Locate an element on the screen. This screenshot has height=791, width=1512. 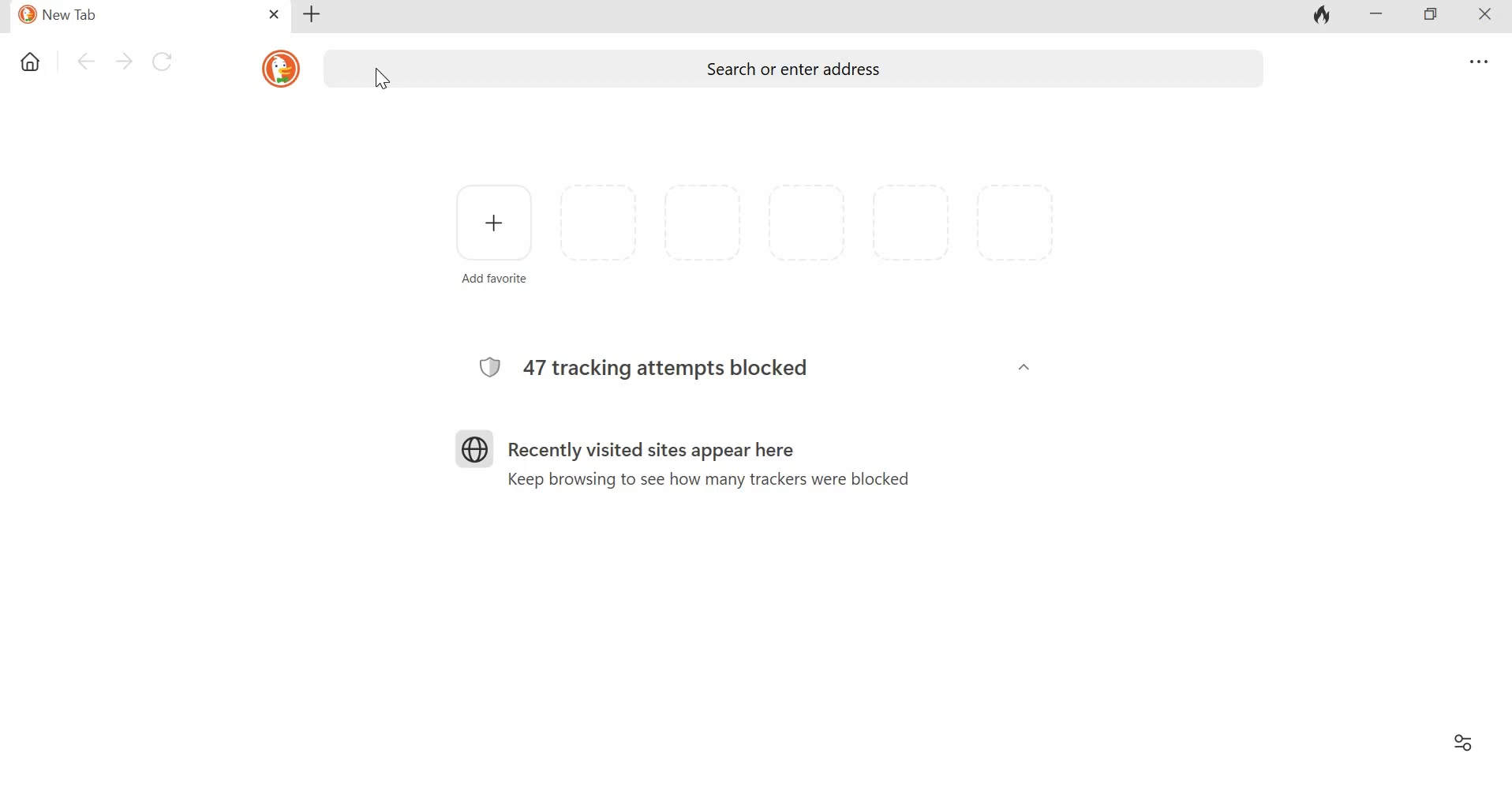
Recently visited sites appear here. Keep browsing to see how many trackers were blocked.  is located at coordinates (705, 458).